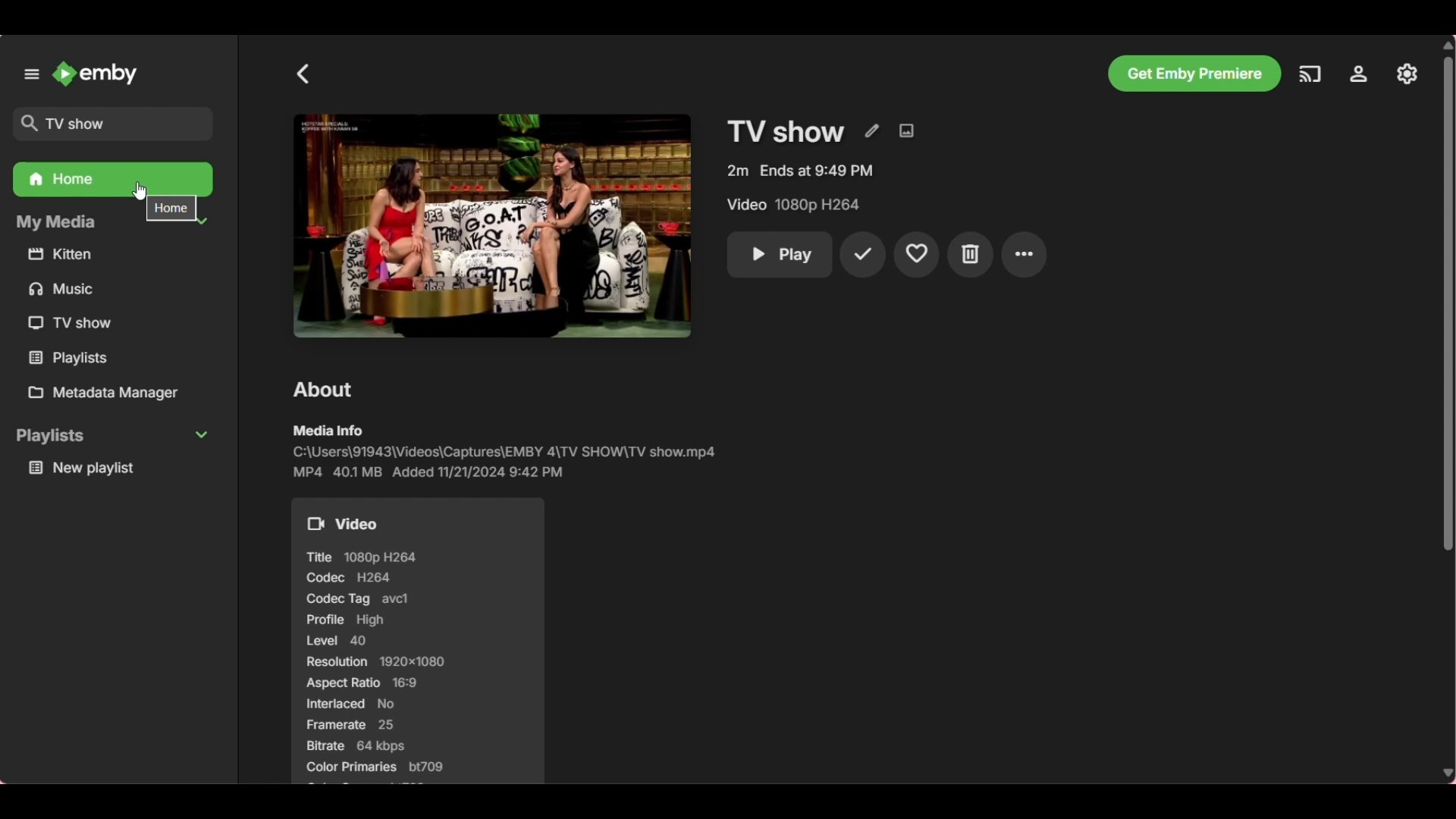 This screenshot has height=819, width=1456. I want to click on Video 1080p H264, so click(797, 205).